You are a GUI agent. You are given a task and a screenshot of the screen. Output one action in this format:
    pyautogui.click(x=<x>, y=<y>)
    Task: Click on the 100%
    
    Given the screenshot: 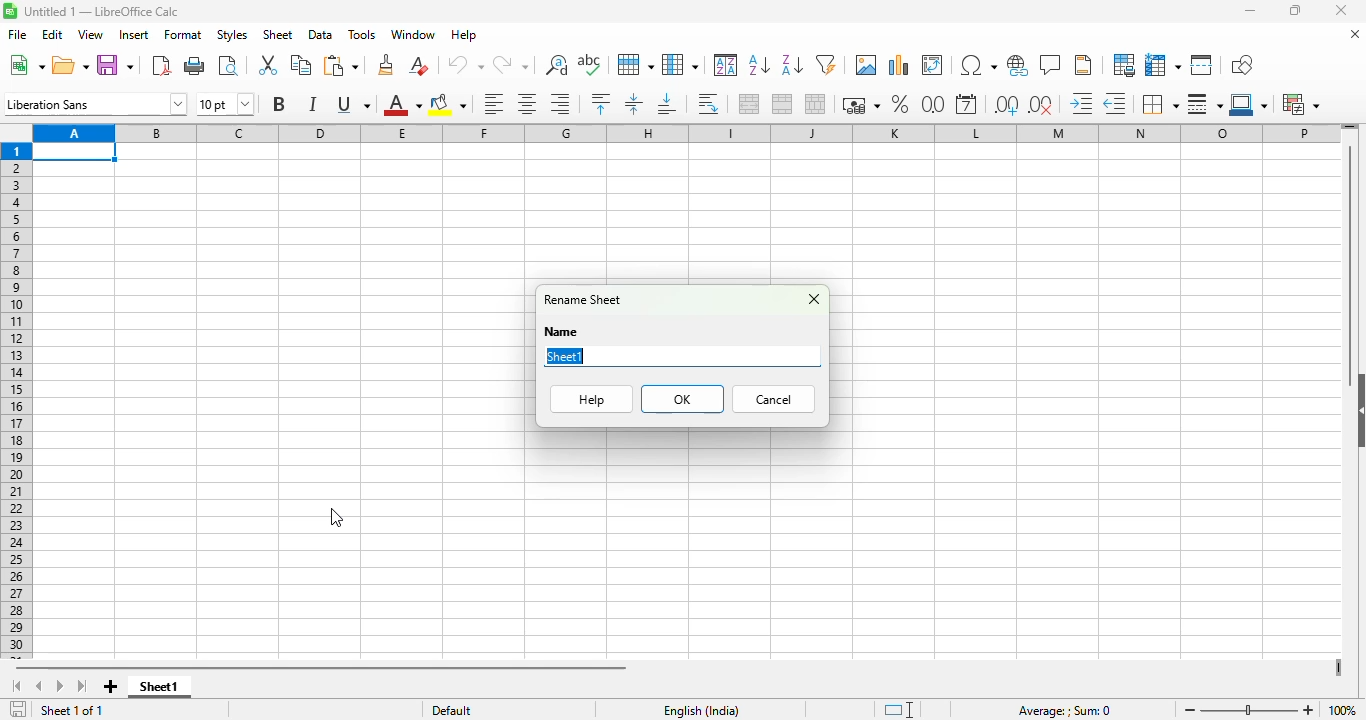 What is the action you would take?
    pyautogui.click(x=1343, y=710)
    